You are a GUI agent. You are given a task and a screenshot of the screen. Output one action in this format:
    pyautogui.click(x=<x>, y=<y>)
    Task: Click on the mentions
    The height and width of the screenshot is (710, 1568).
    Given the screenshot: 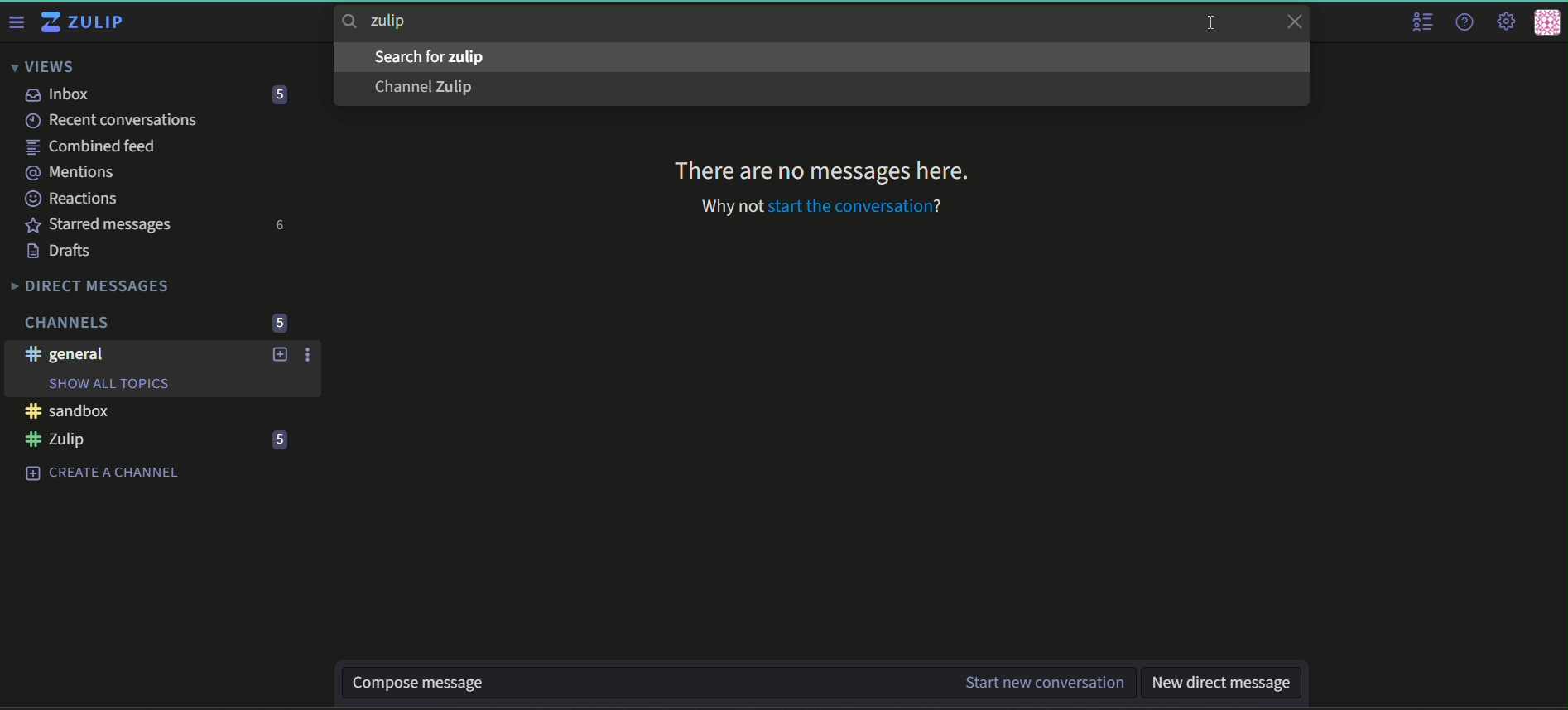 What is the action you would take?
    pyautogui.click(x=71, y=173)
    